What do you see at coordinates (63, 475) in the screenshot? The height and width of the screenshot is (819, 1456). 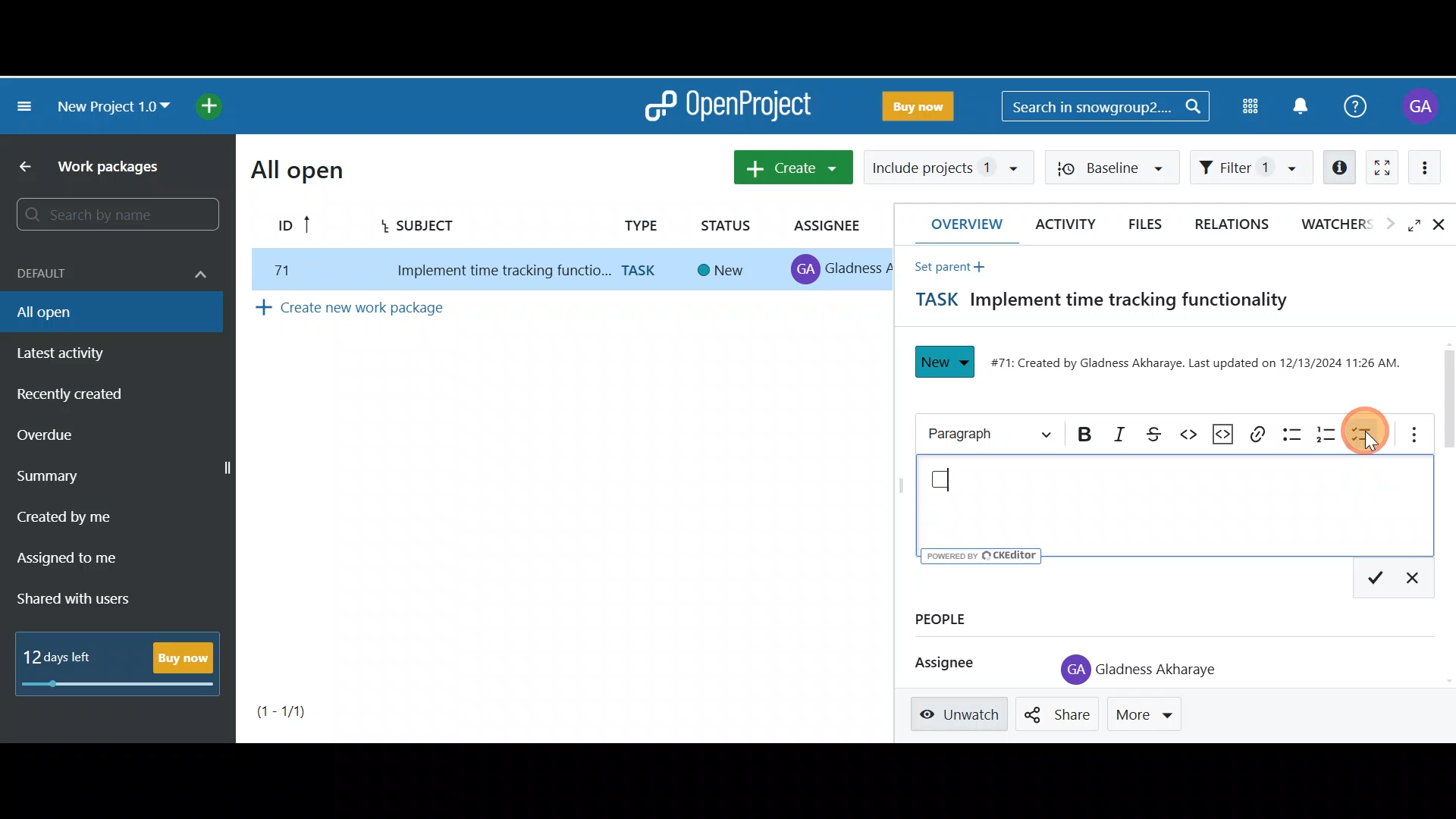 I see `Summary` at bounding box center [63, 475].